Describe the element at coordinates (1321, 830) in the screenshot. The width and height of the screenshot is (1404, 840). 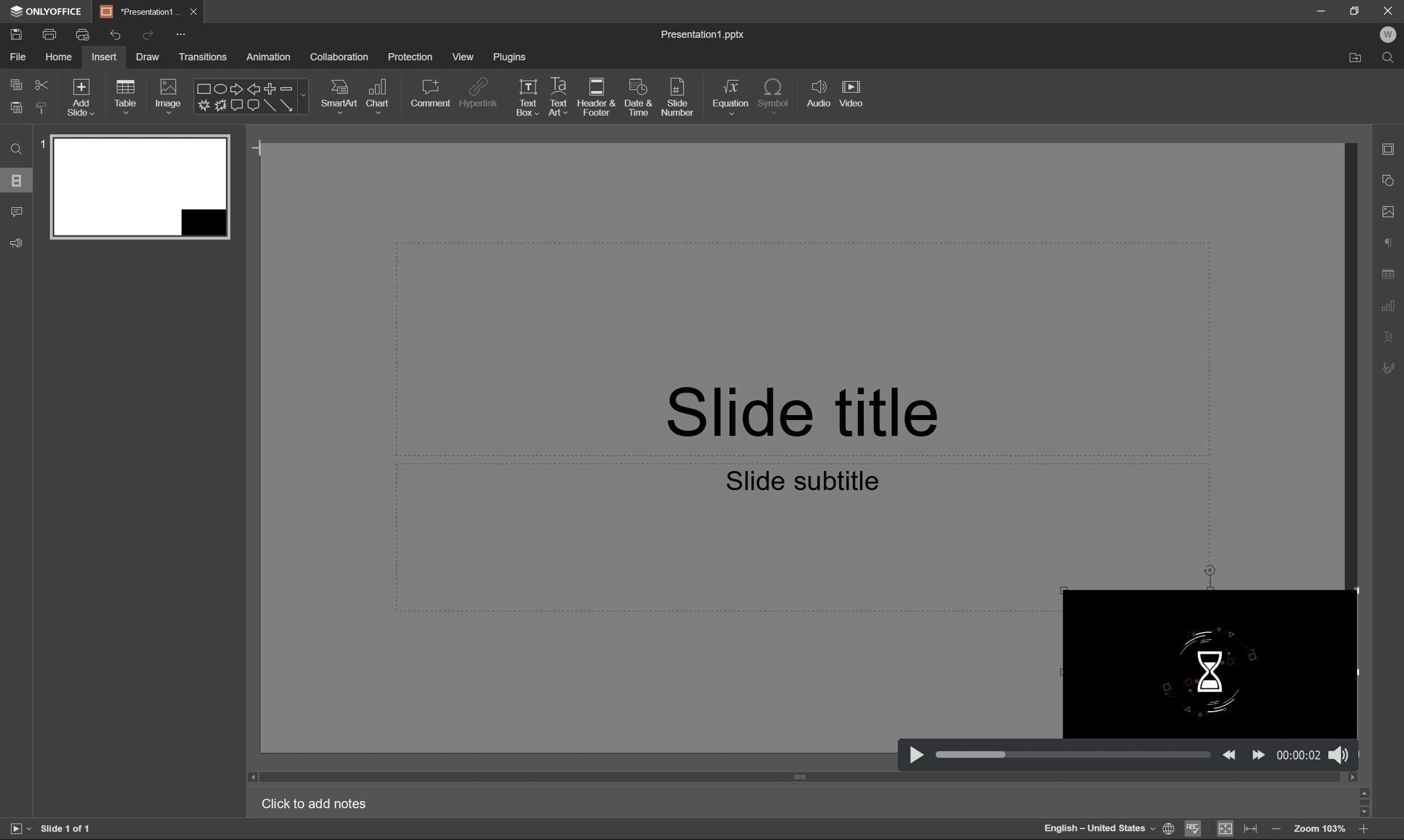
I see `Zoom 103%zoom 103%` at that location.